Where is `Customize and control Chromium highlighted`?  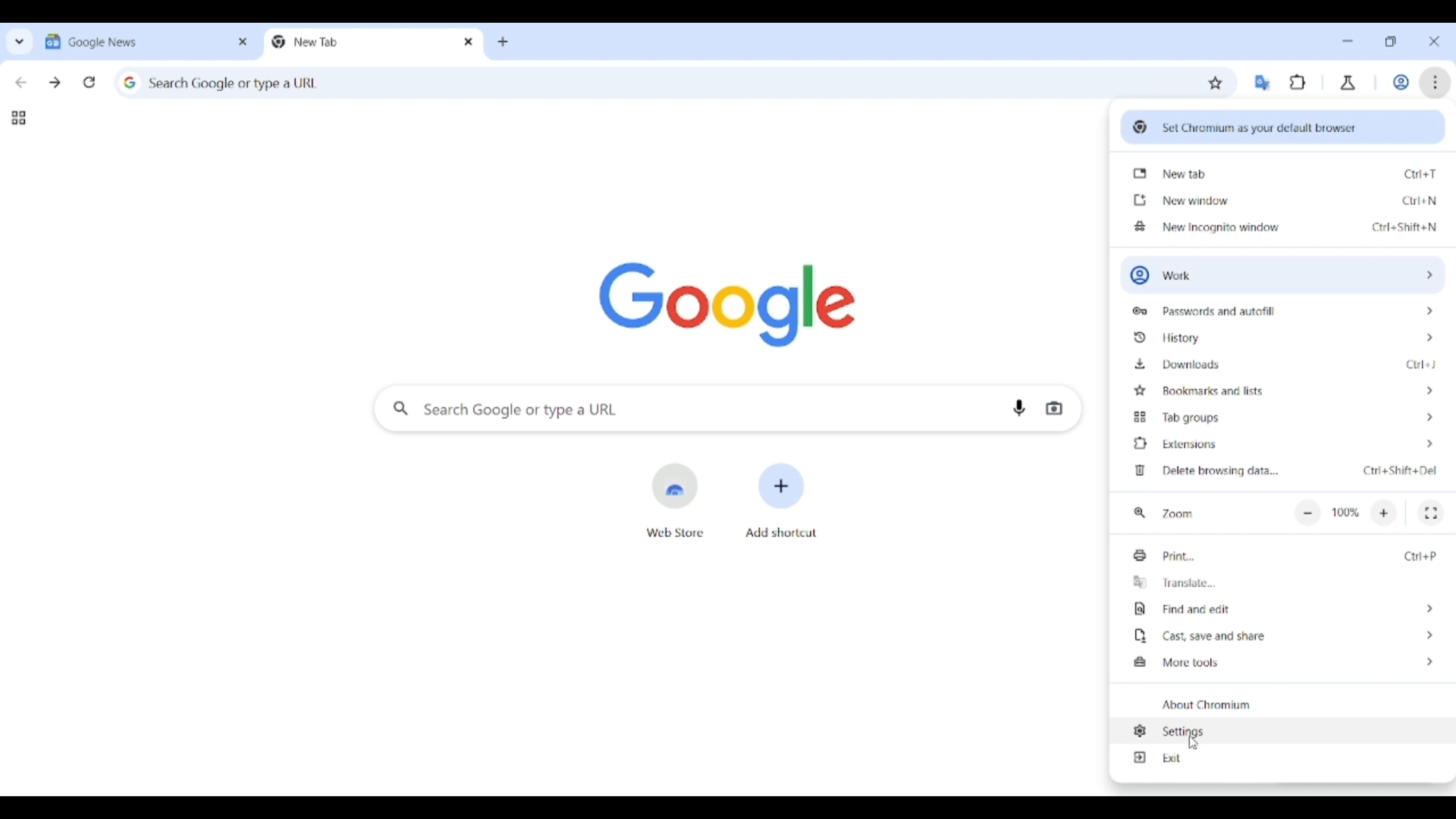 Customize and control Chromium highlighted is located at coordinates (1436, 83).